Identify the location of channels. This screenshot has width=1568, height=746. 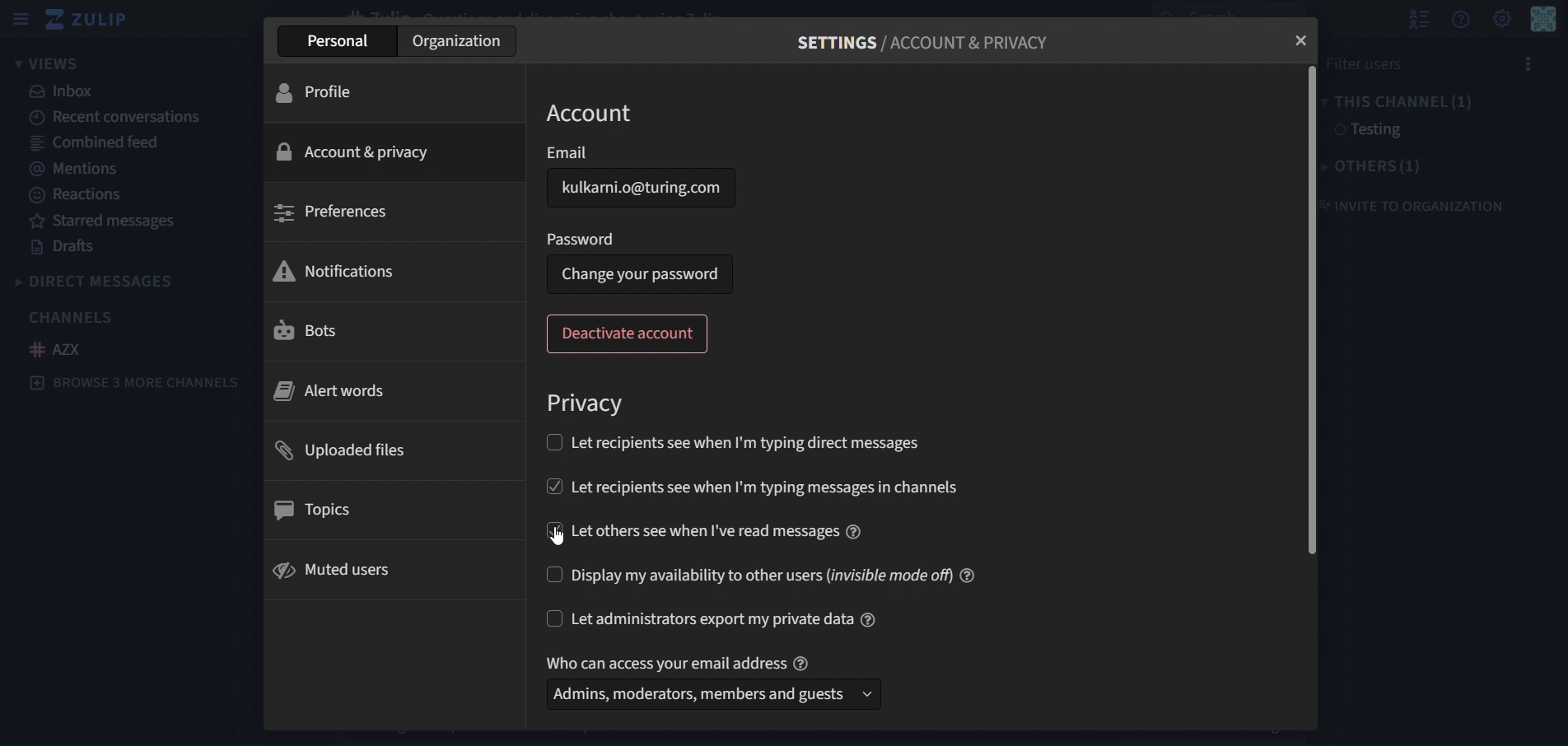
(72, 316).